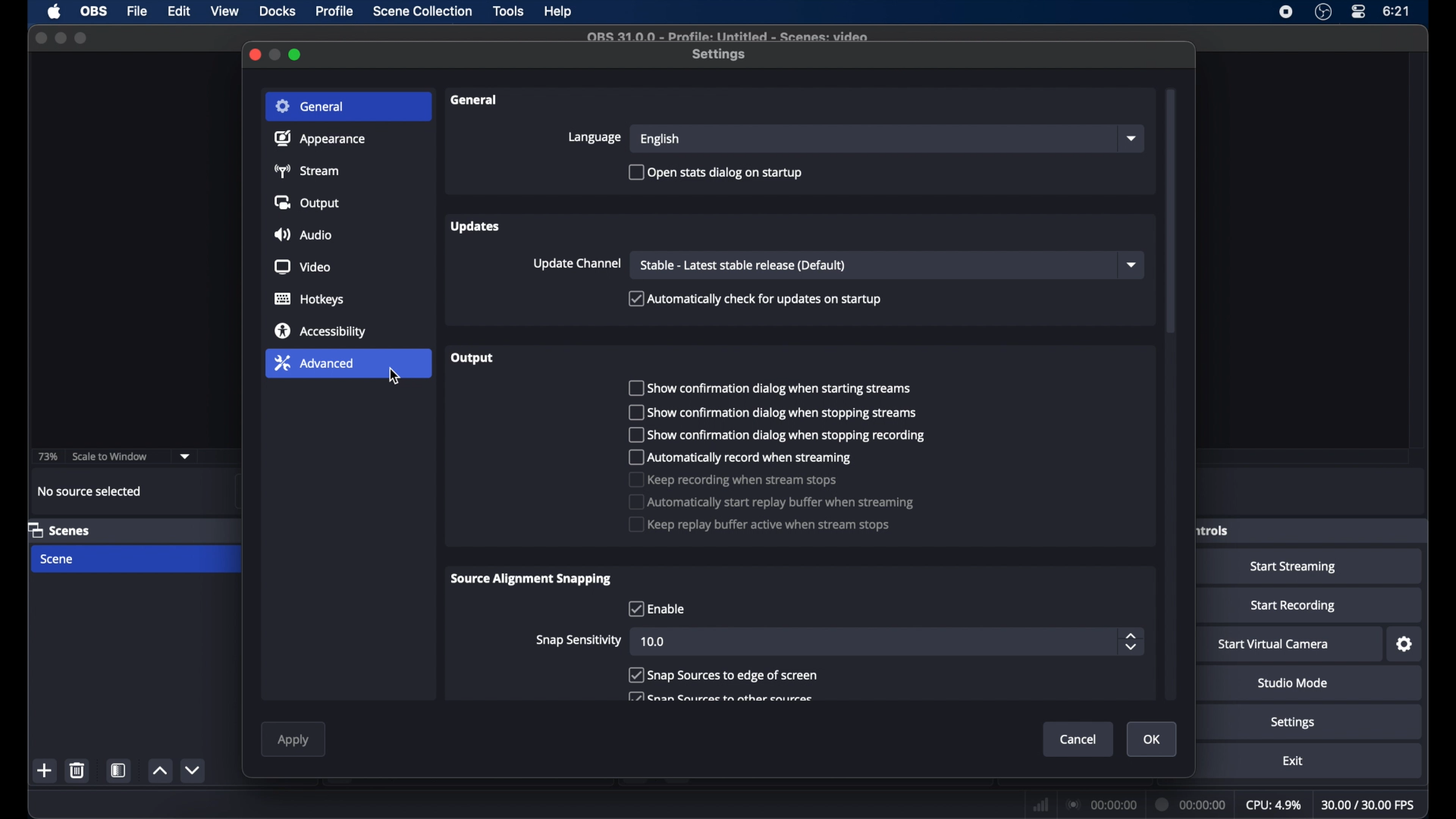 The image size is (1456, 819). What do you see at coordinates (777, 388) in the screenshot?
I see `0 Show confirmation dialog when starting streams` at bounding box center [777, 388].